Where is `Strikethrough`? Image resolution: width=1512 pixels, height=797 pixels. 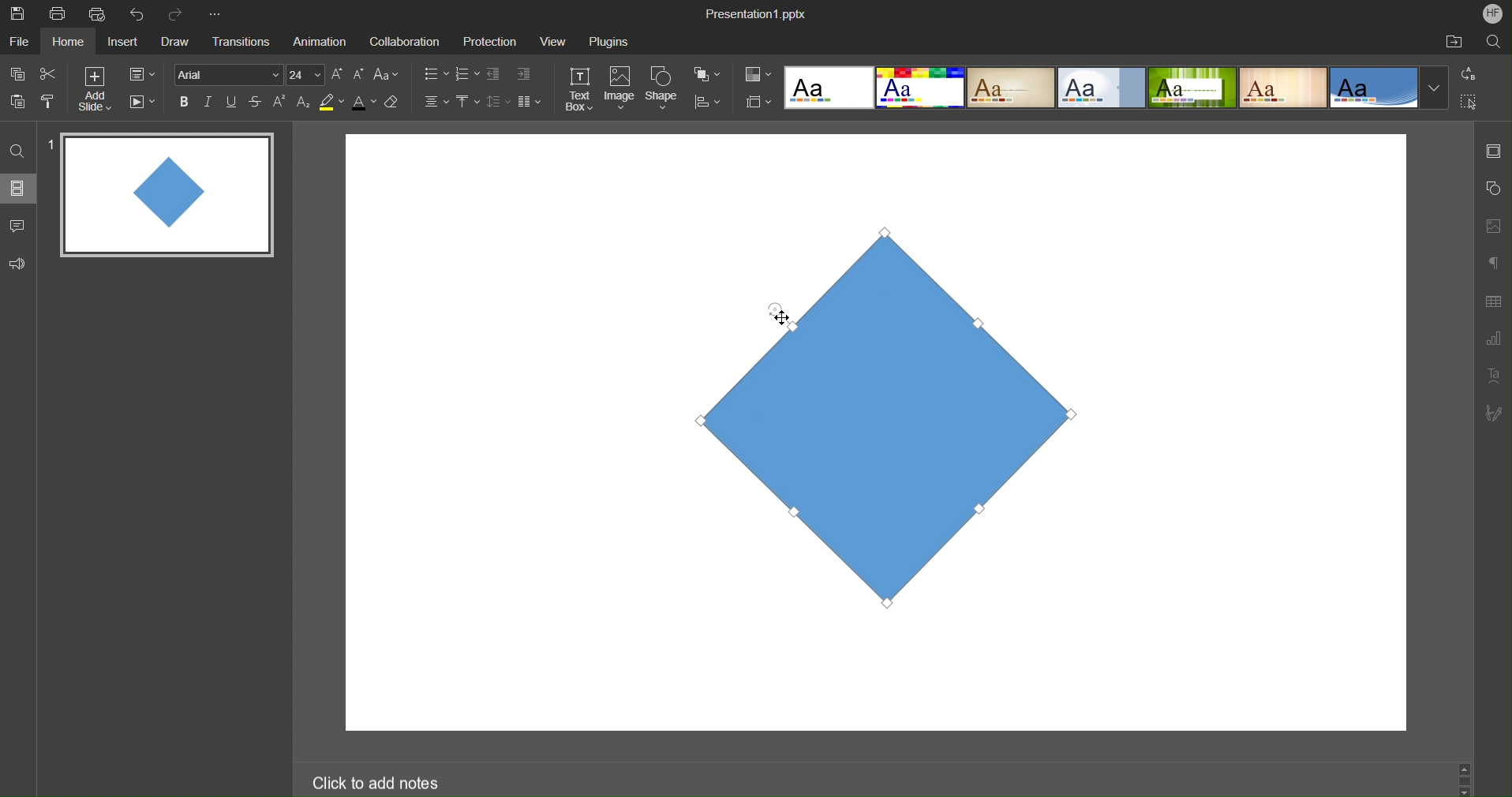 Strikethrough is located at coordinates (256, 103).